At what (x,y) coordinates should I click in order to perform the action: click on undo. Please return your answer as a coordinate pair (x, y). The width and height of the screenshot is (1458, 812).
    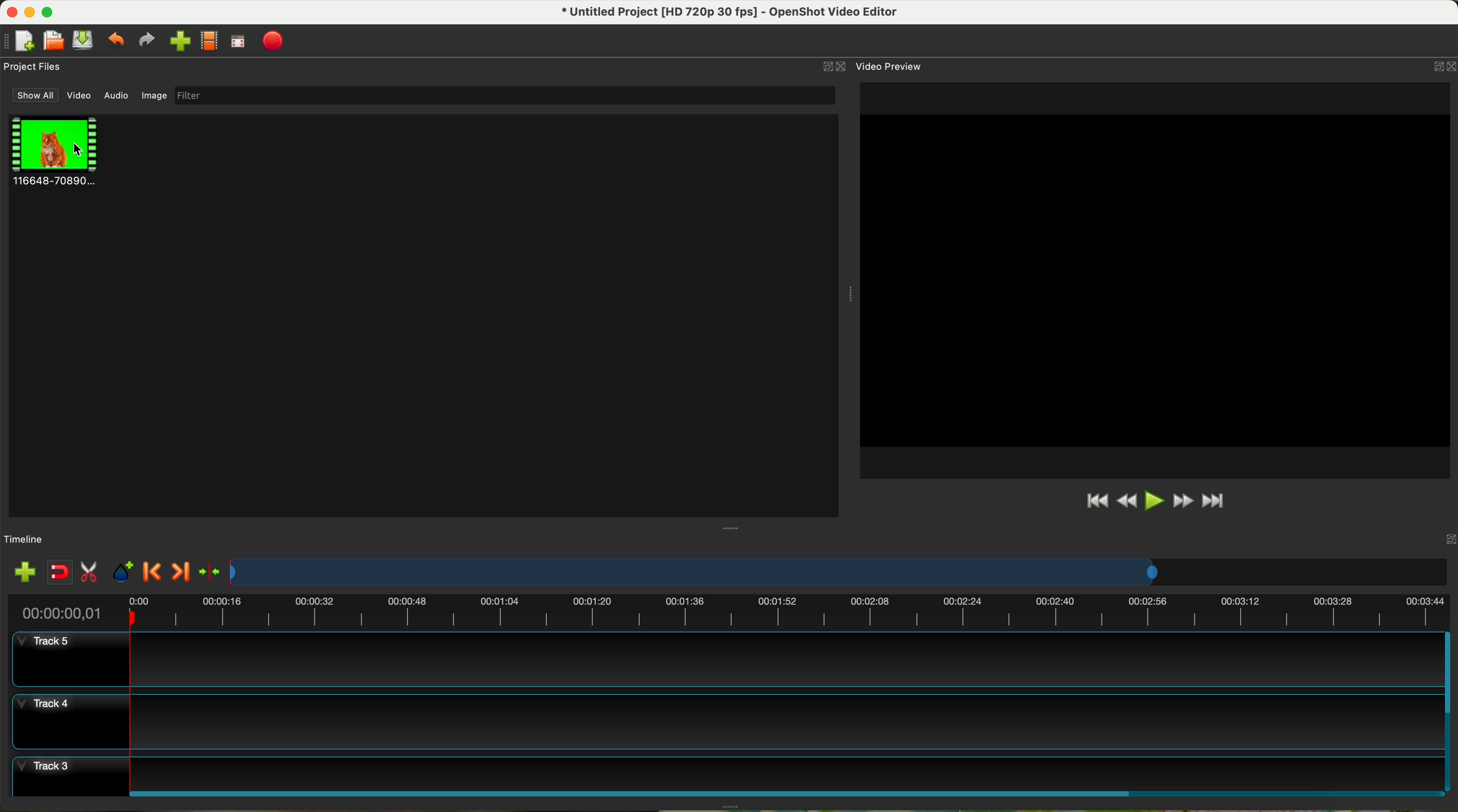
    Looking at the image, I should click on (115, 38).